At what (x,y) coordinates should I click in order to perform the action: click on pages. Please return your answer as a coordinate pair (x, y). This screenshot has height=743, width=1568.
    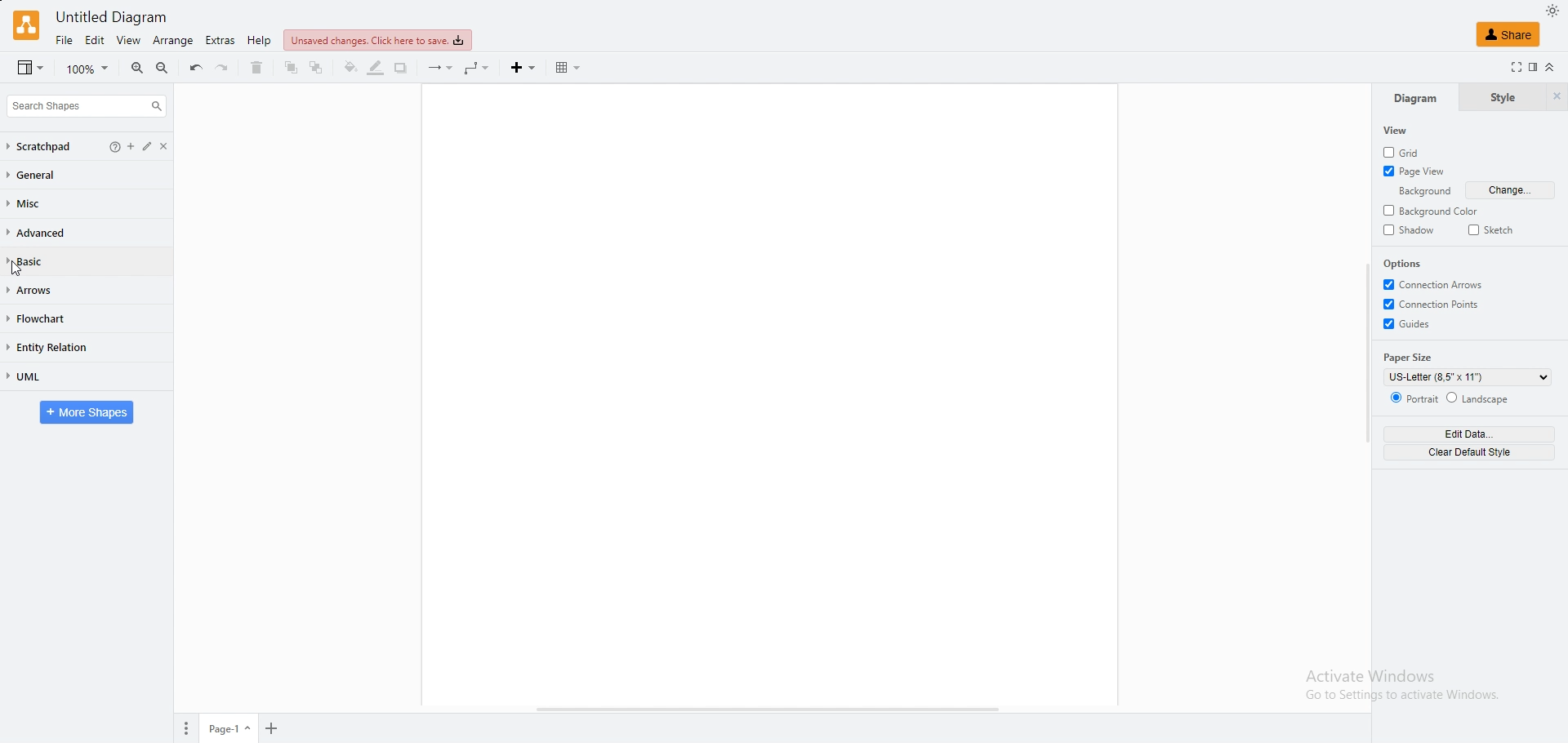
    Looking at the image, I should click on (185, 728).